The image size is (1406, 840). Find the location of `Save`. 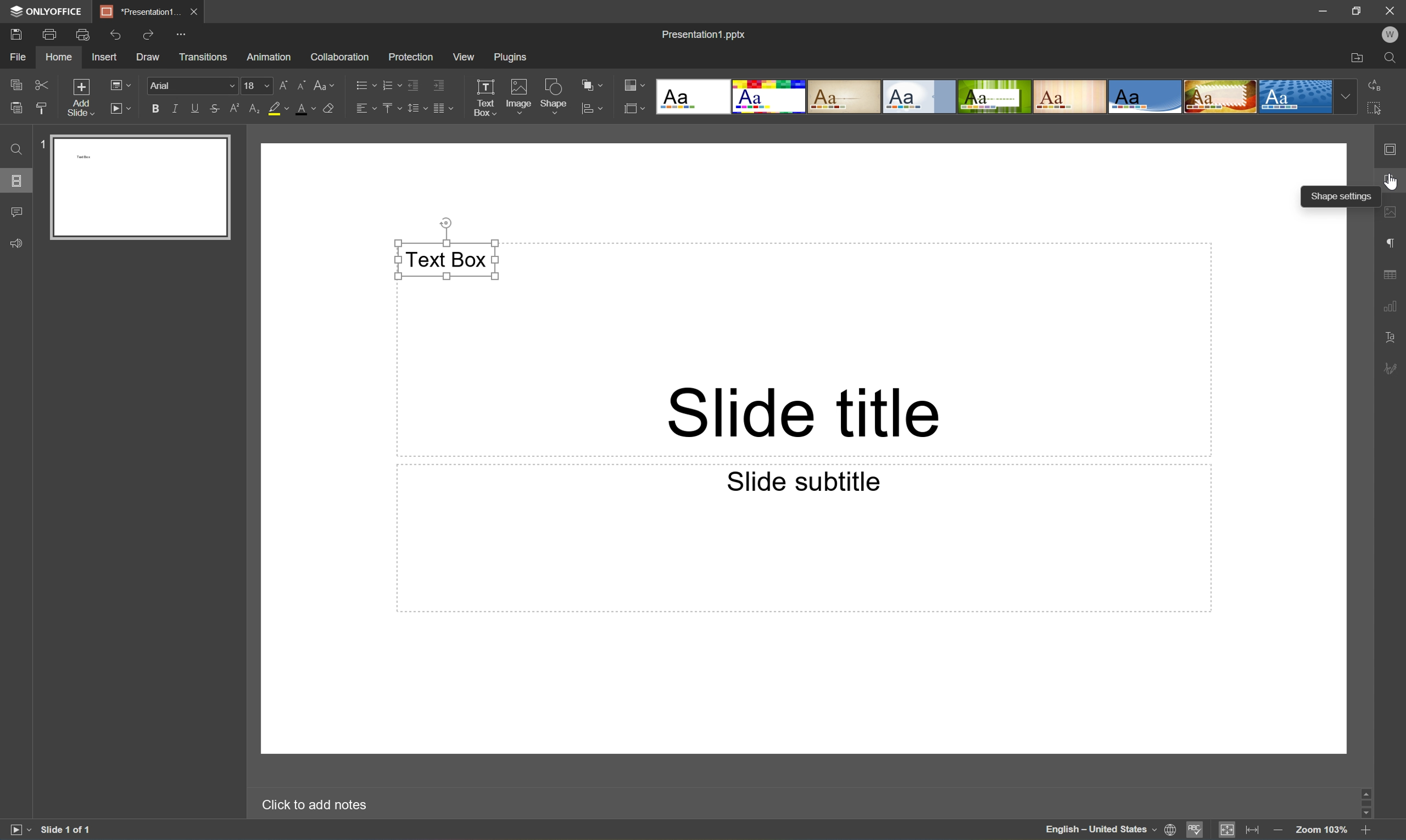

Save is located at coordinates (15, 35).